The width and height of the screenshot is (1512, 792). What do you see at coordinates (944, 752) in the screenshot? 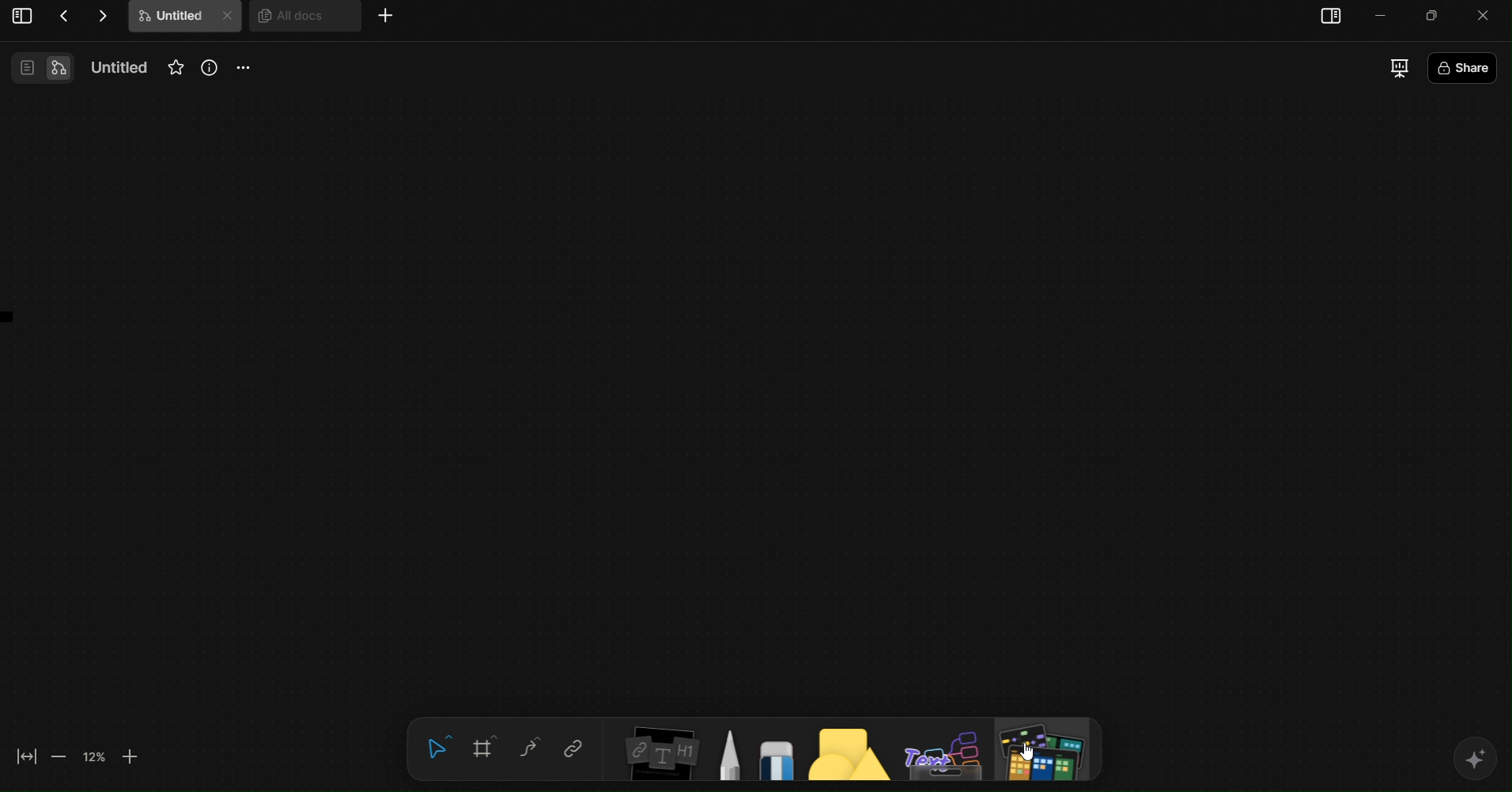
I see `Text Board Tool` at bounding box center [944, 752].